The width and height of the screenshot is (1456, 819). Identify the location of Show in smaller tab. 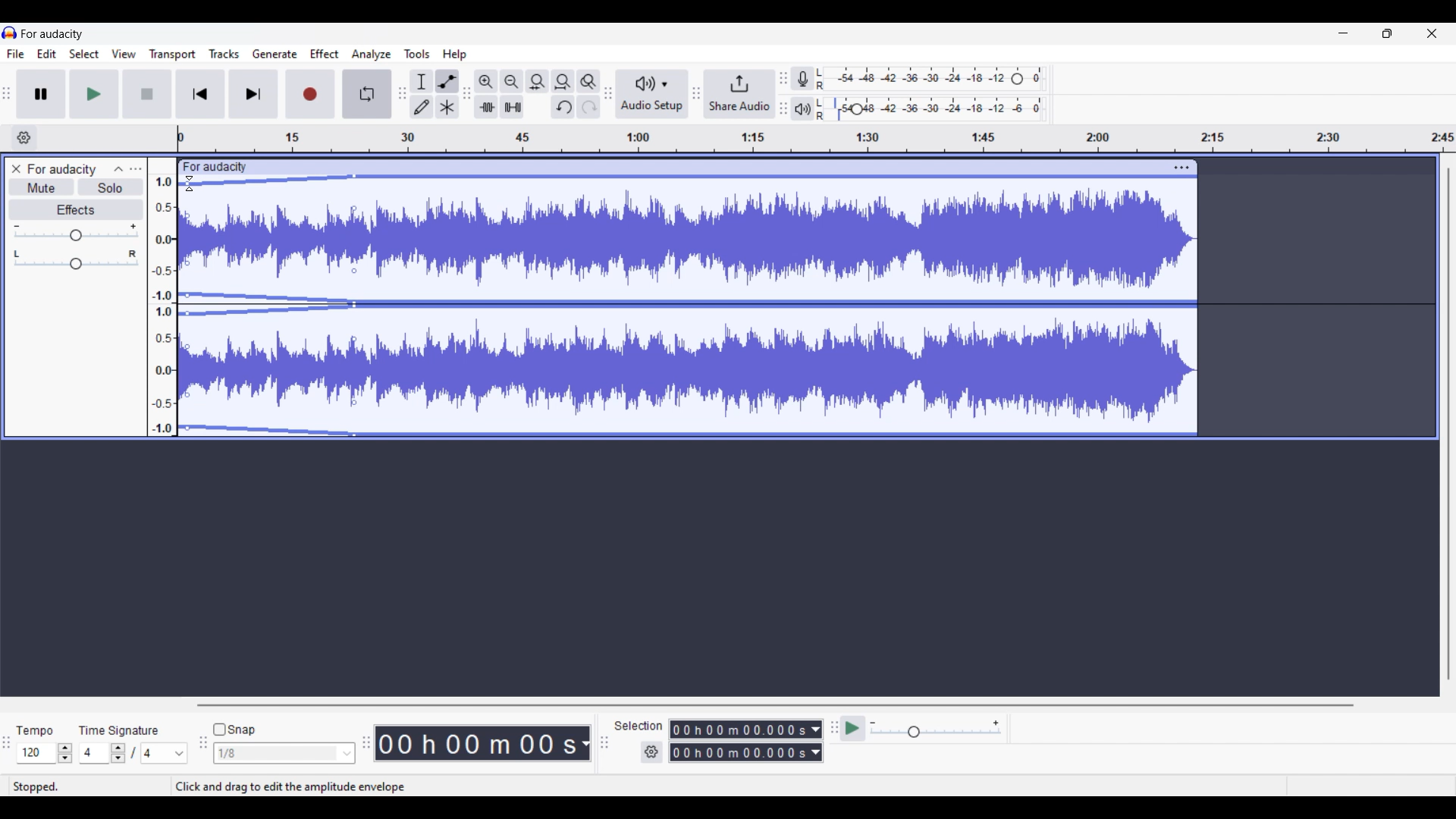
(1388, 33).